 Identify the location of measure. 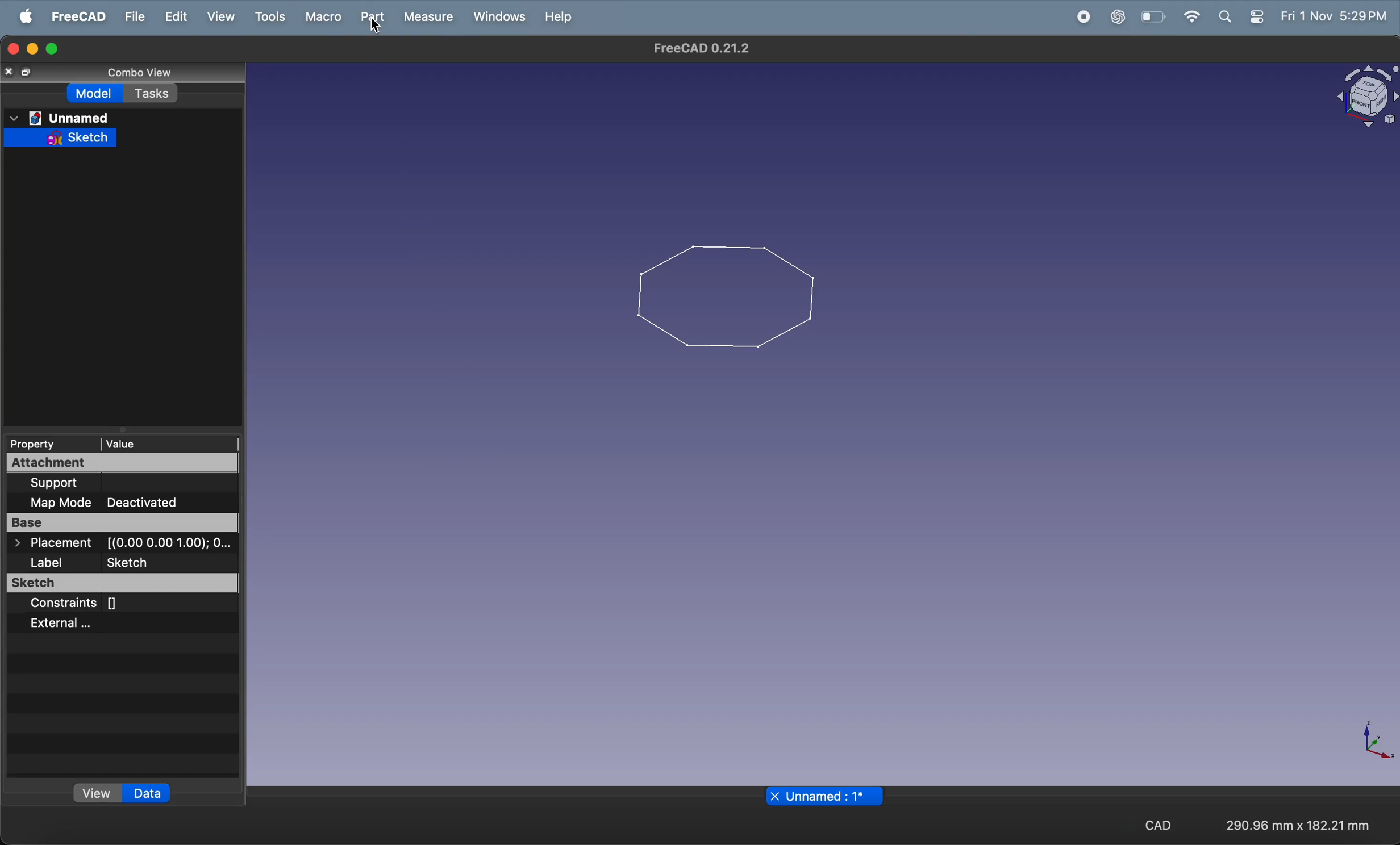
(429, 16).